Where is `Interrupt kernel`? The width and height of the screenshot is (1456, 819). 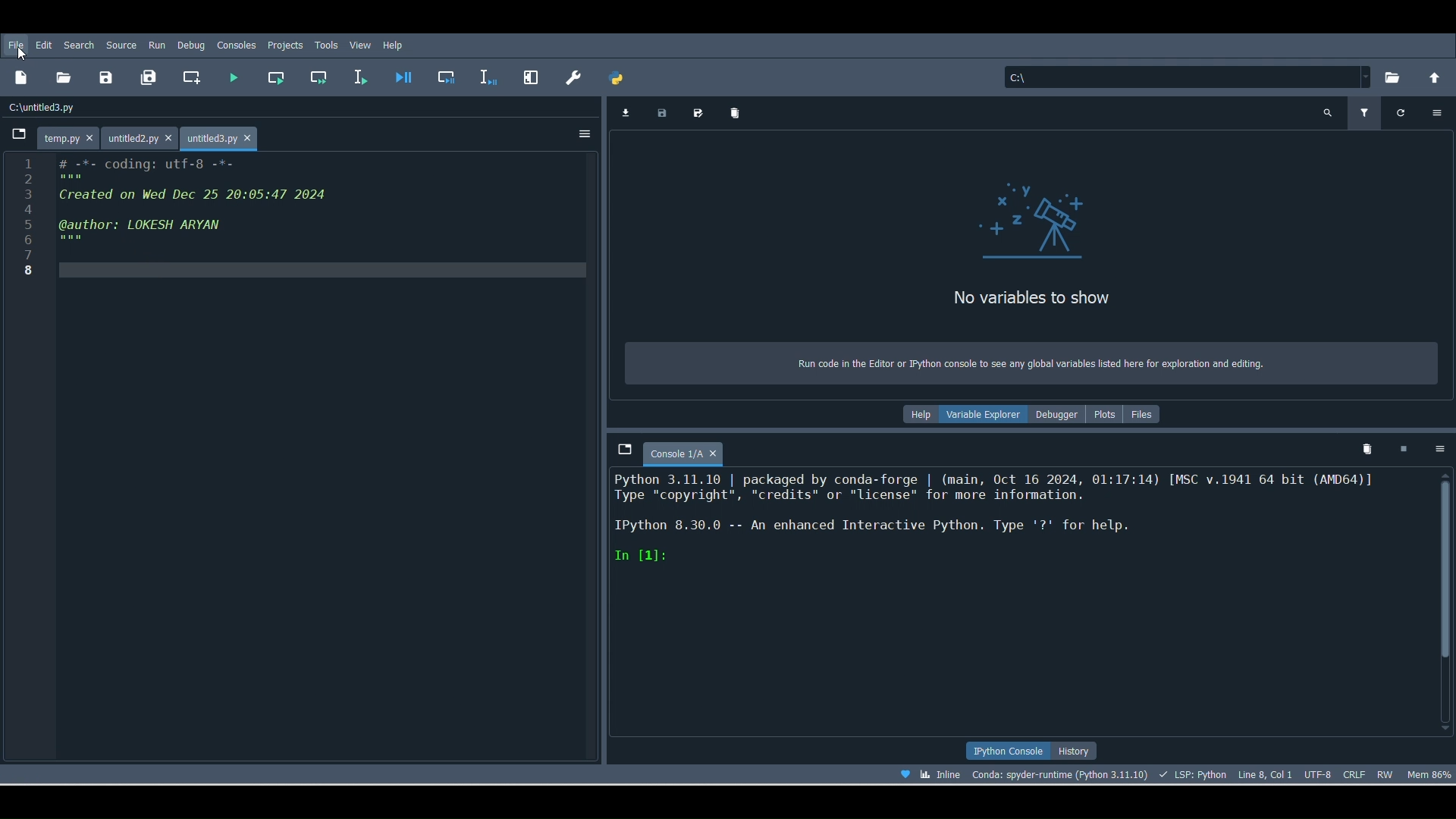 Interrupt kernel is located at coordinates (1407, 448).